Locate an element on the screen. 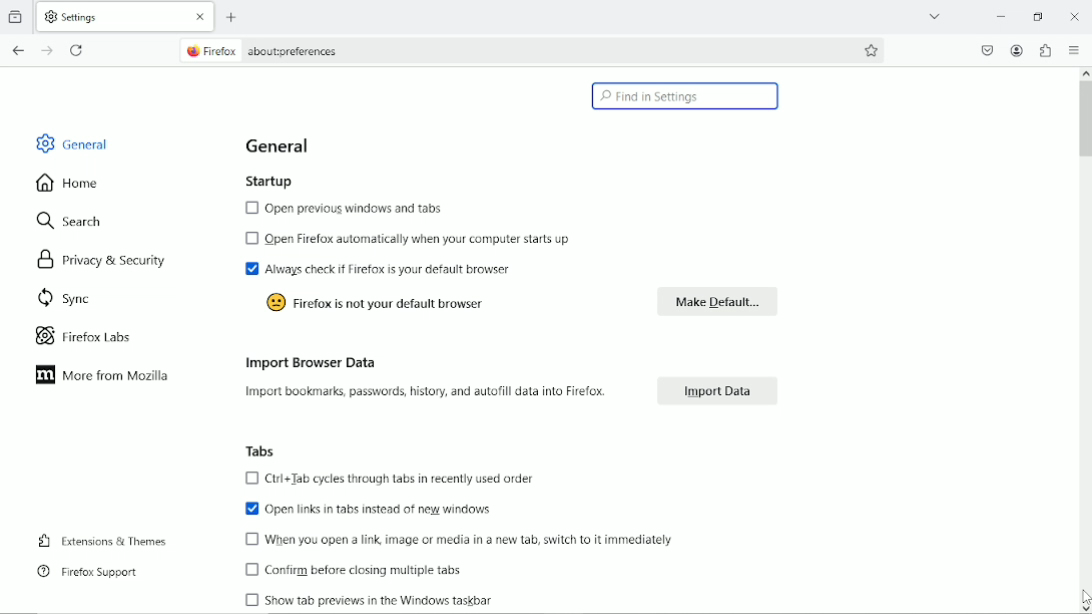  Import Data is located at coordinates (718, 391).